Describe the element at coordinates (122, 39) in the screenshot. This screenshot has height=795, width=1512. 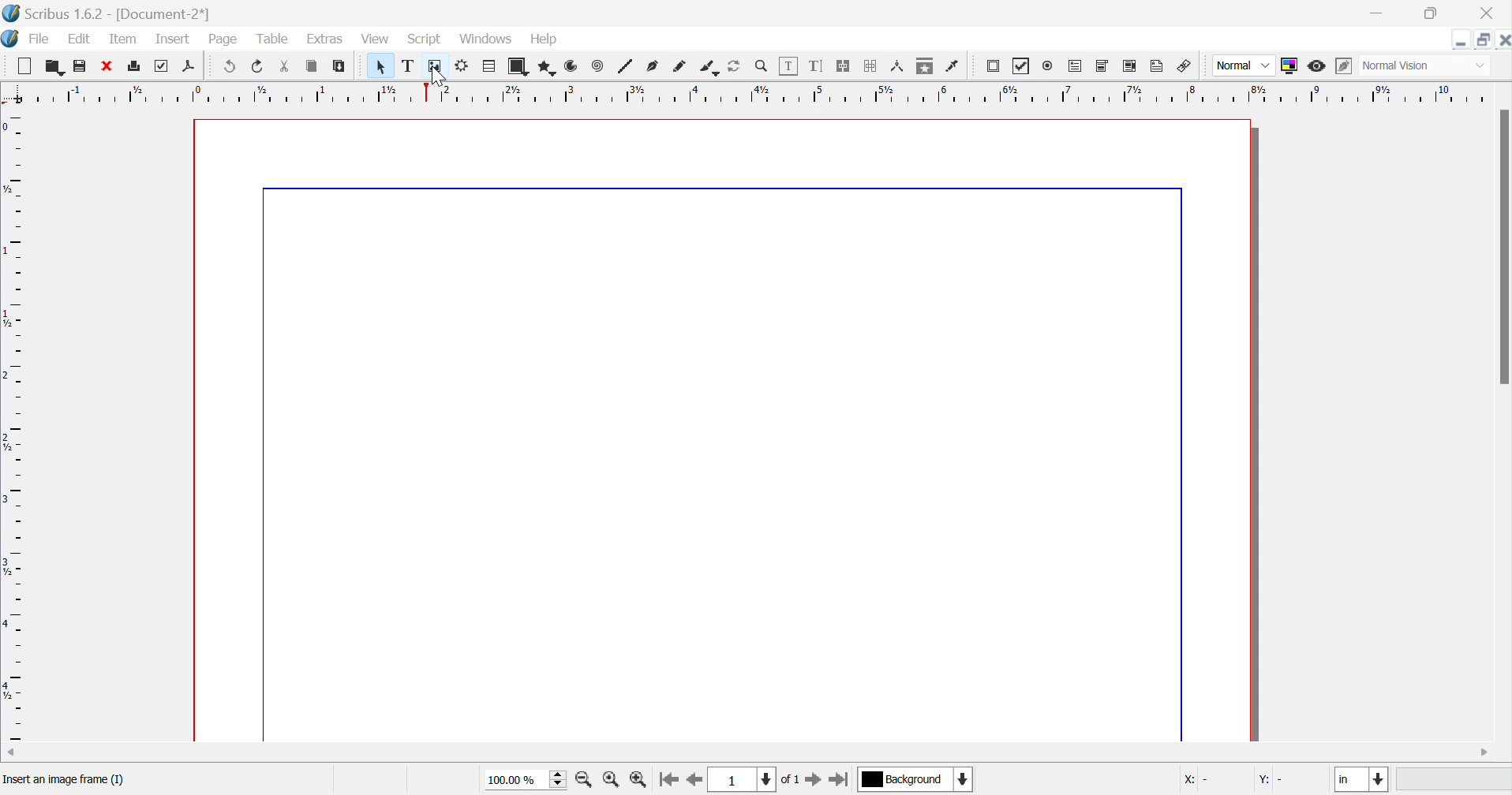
I see `item` at that location.